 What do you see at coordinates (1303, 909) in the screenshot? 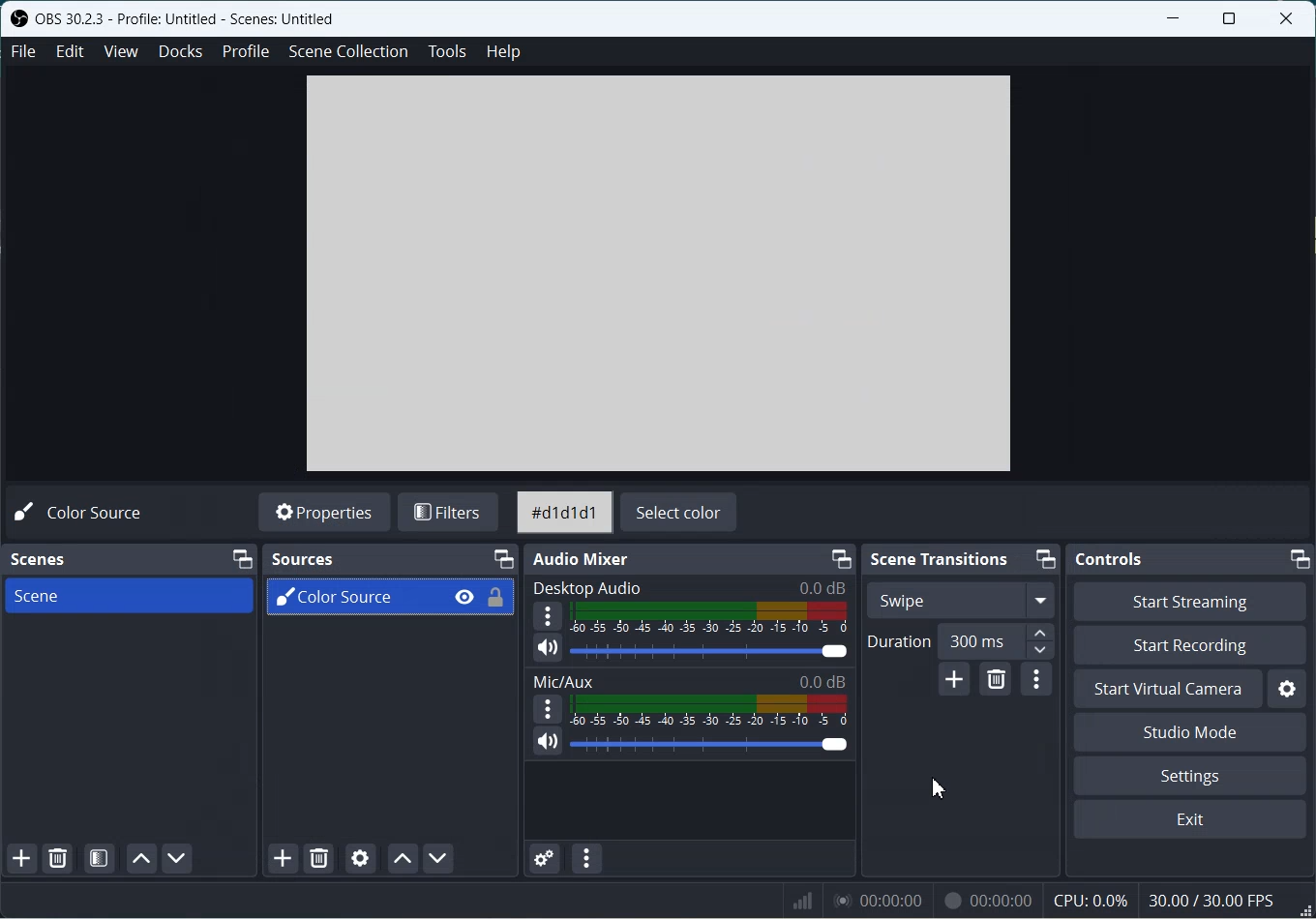
I see `Window Adjuster` at bounding box center [1303, 909].